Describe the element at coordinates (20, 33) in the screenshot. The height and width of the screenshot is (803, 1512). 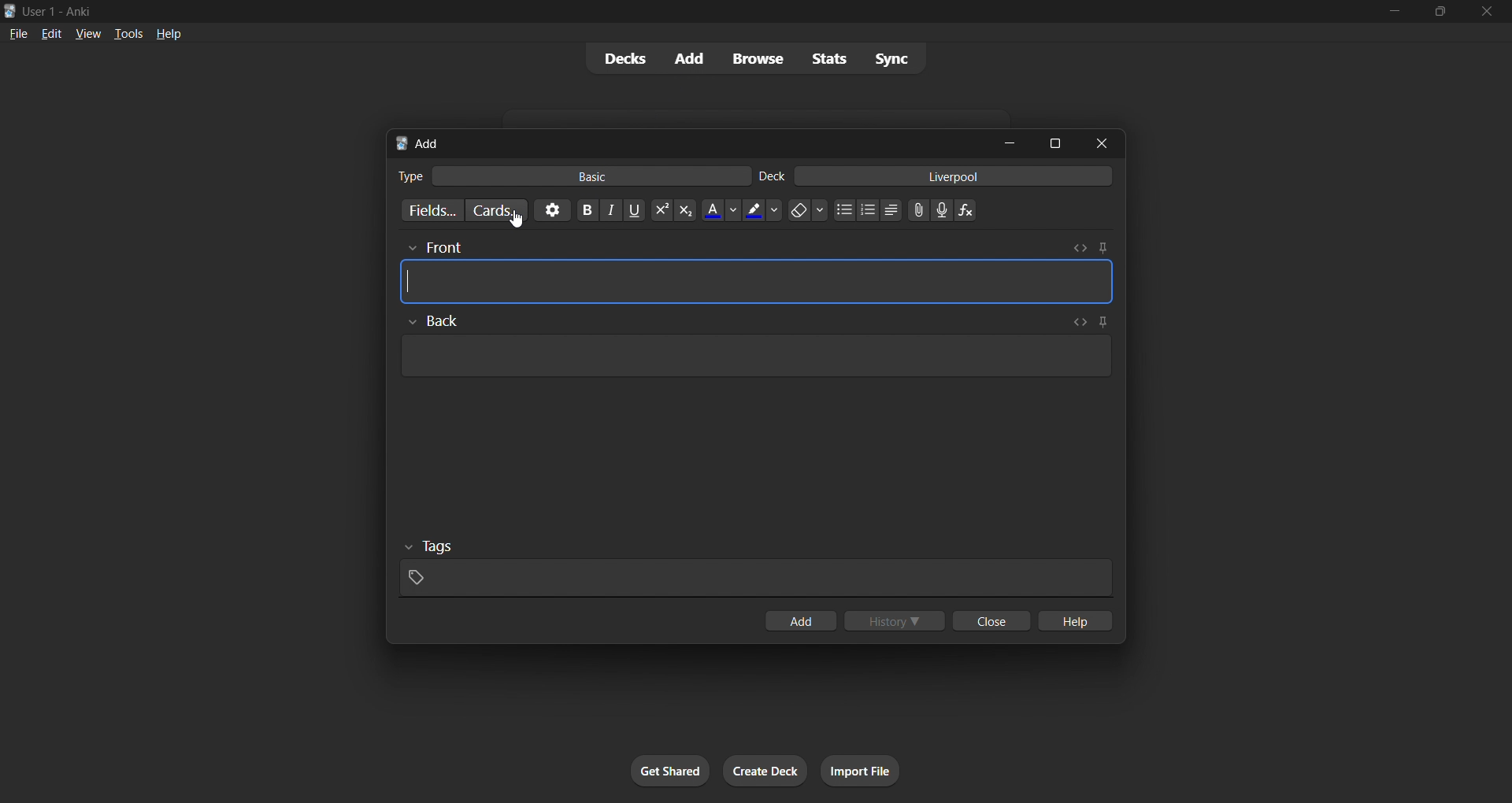
I see `file` at that location.